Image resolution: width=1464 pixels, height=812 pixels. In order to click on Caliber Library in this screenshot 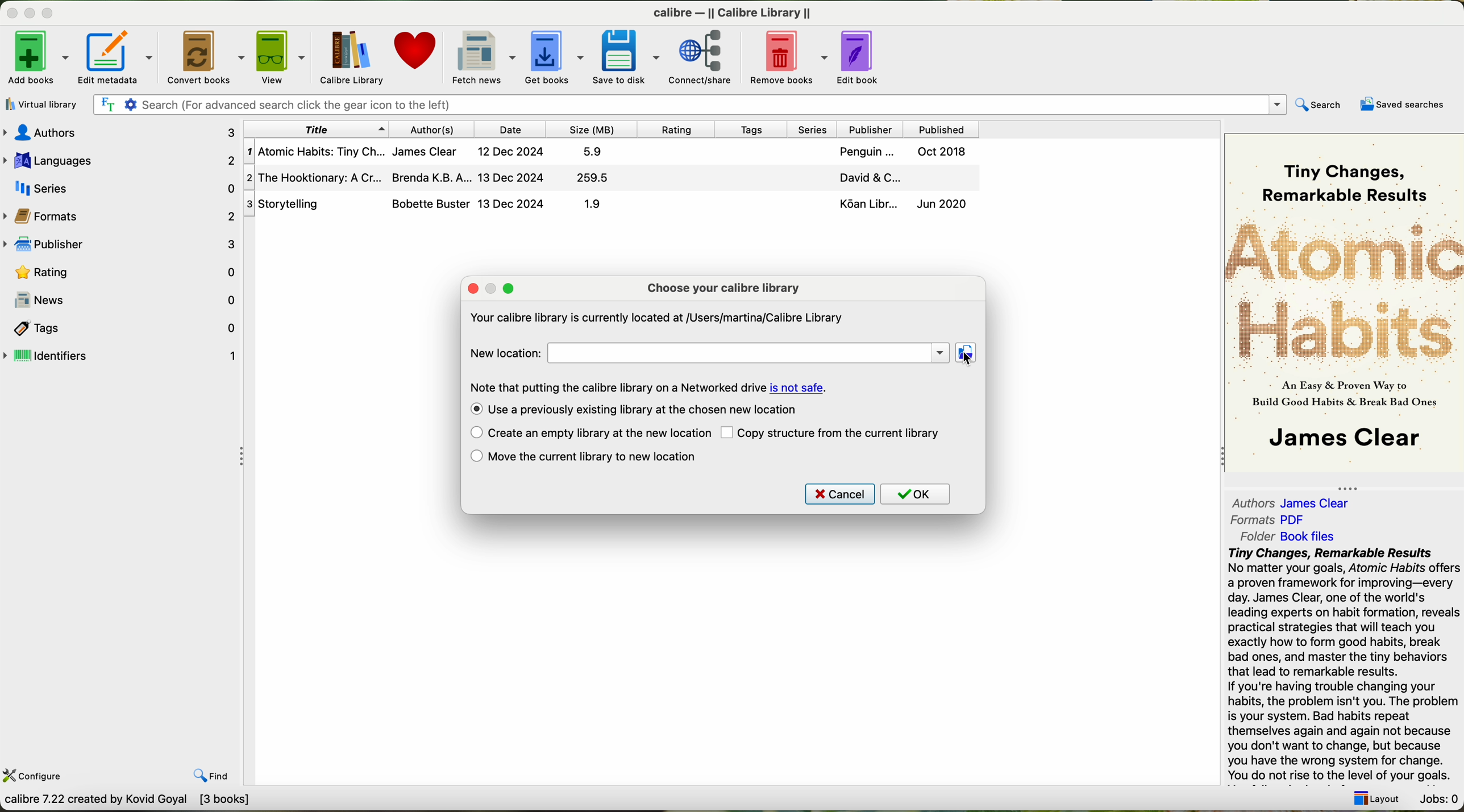, I will do `click(353, 56)`.